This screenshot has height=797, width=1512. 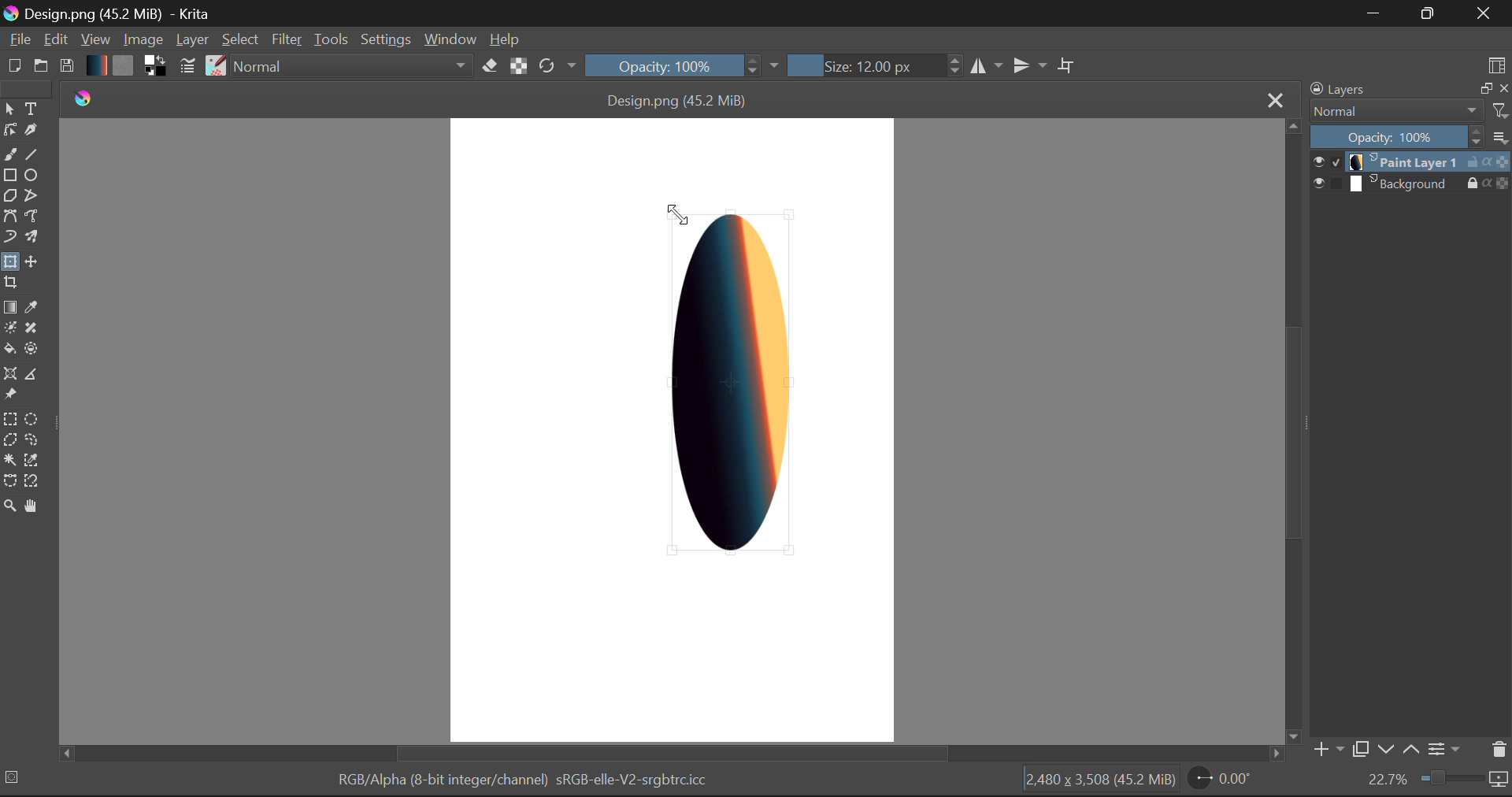 I want to click on Opacity, so click(x=684, y=65).